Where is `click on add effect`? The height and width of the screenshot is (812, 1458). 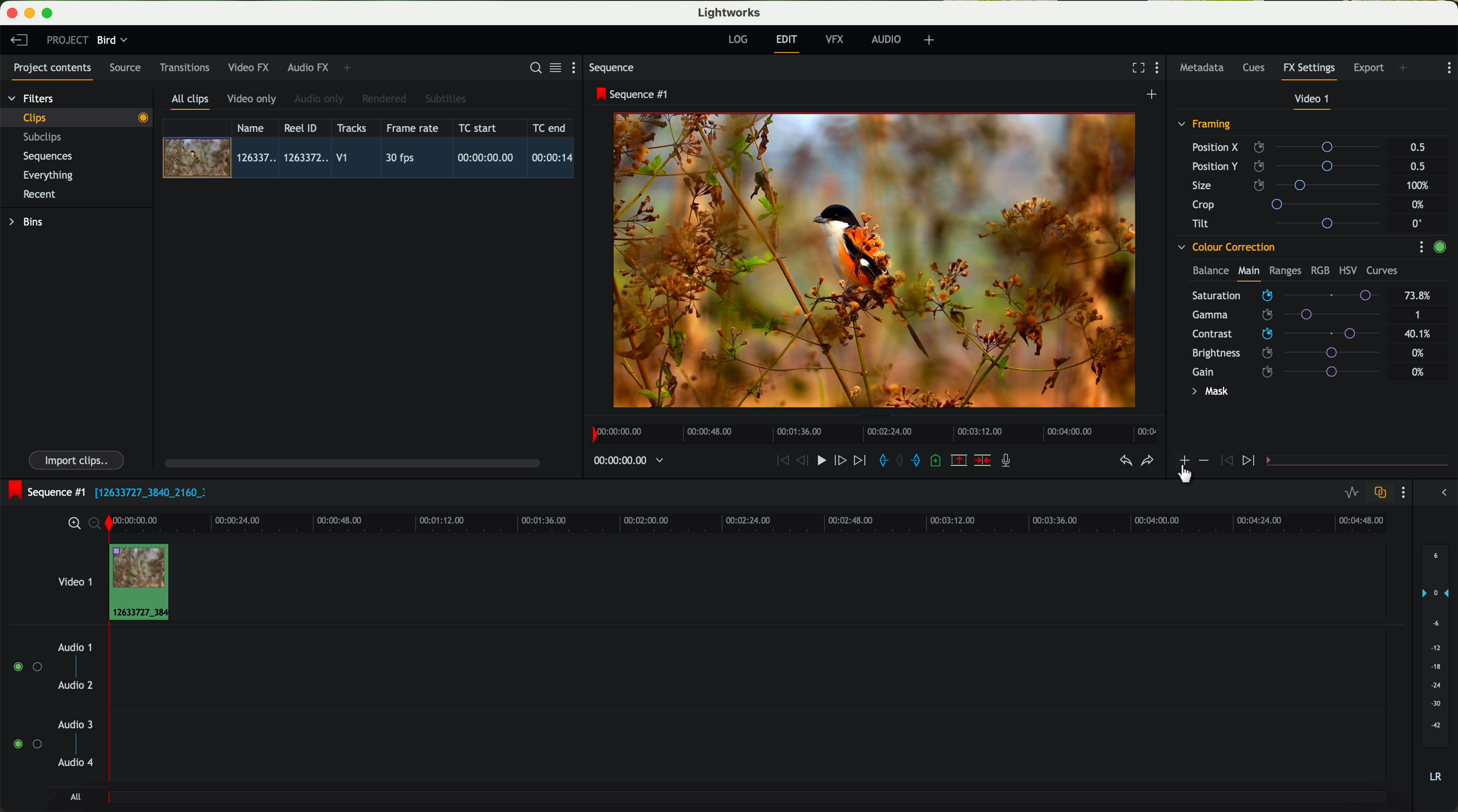 click on add effect is located at coordinates (1185, 470).